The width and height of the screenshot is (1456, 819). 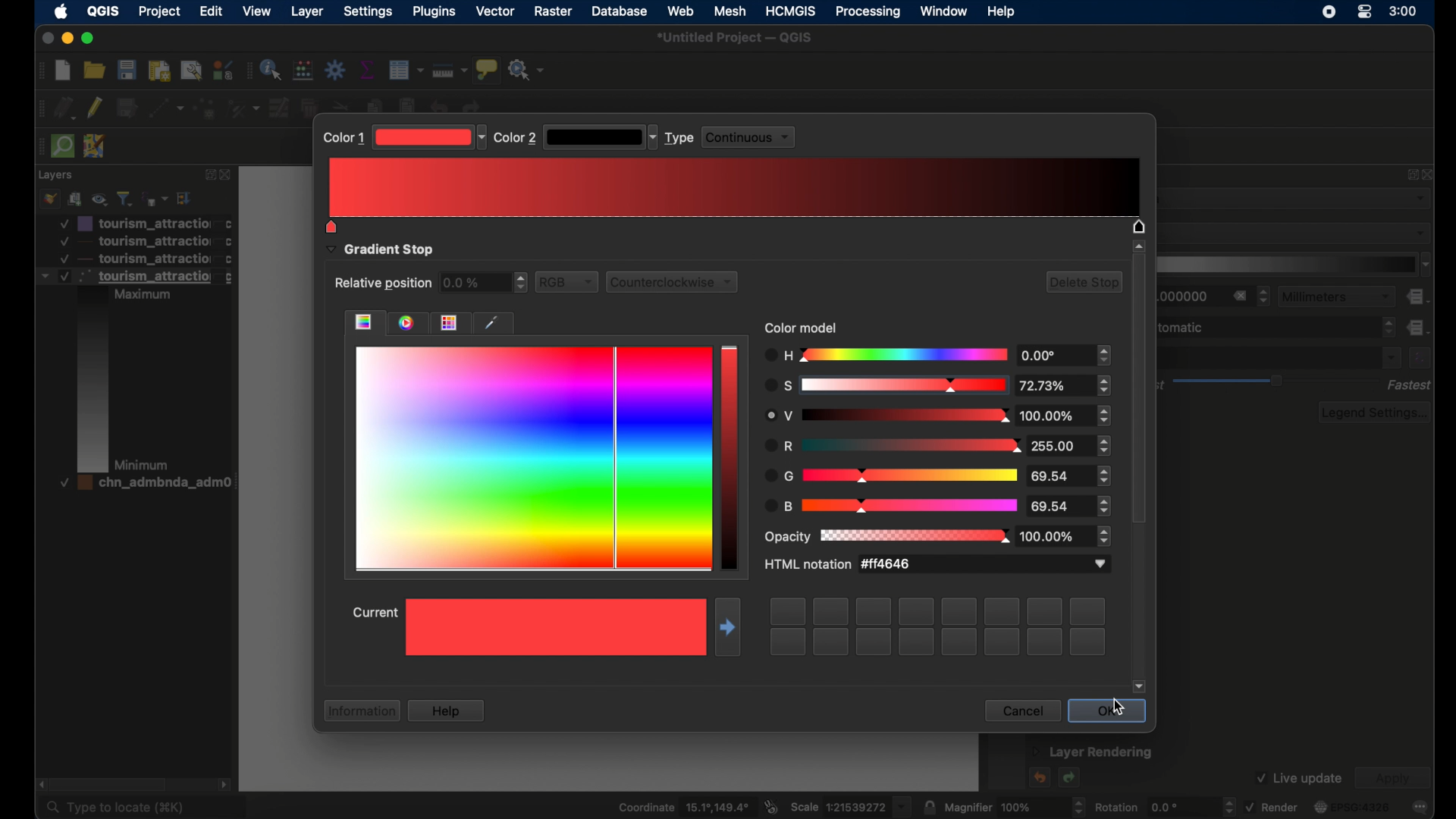 I want to click on R, so click(x=774, y=447).